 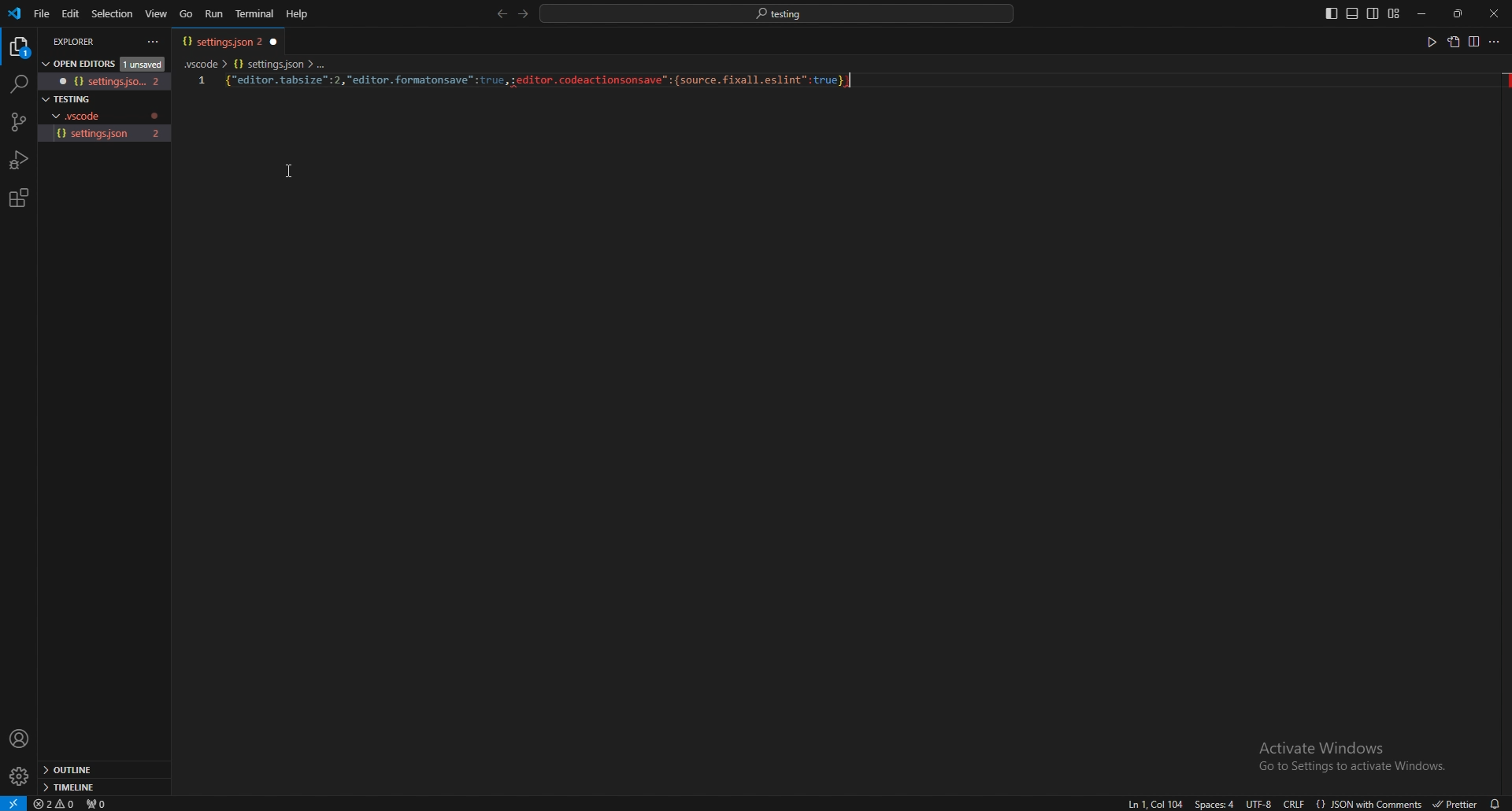 What do you see at coordinates (56, 805) in the screenshot?
I see `errors` at bounding box center [56, 805].